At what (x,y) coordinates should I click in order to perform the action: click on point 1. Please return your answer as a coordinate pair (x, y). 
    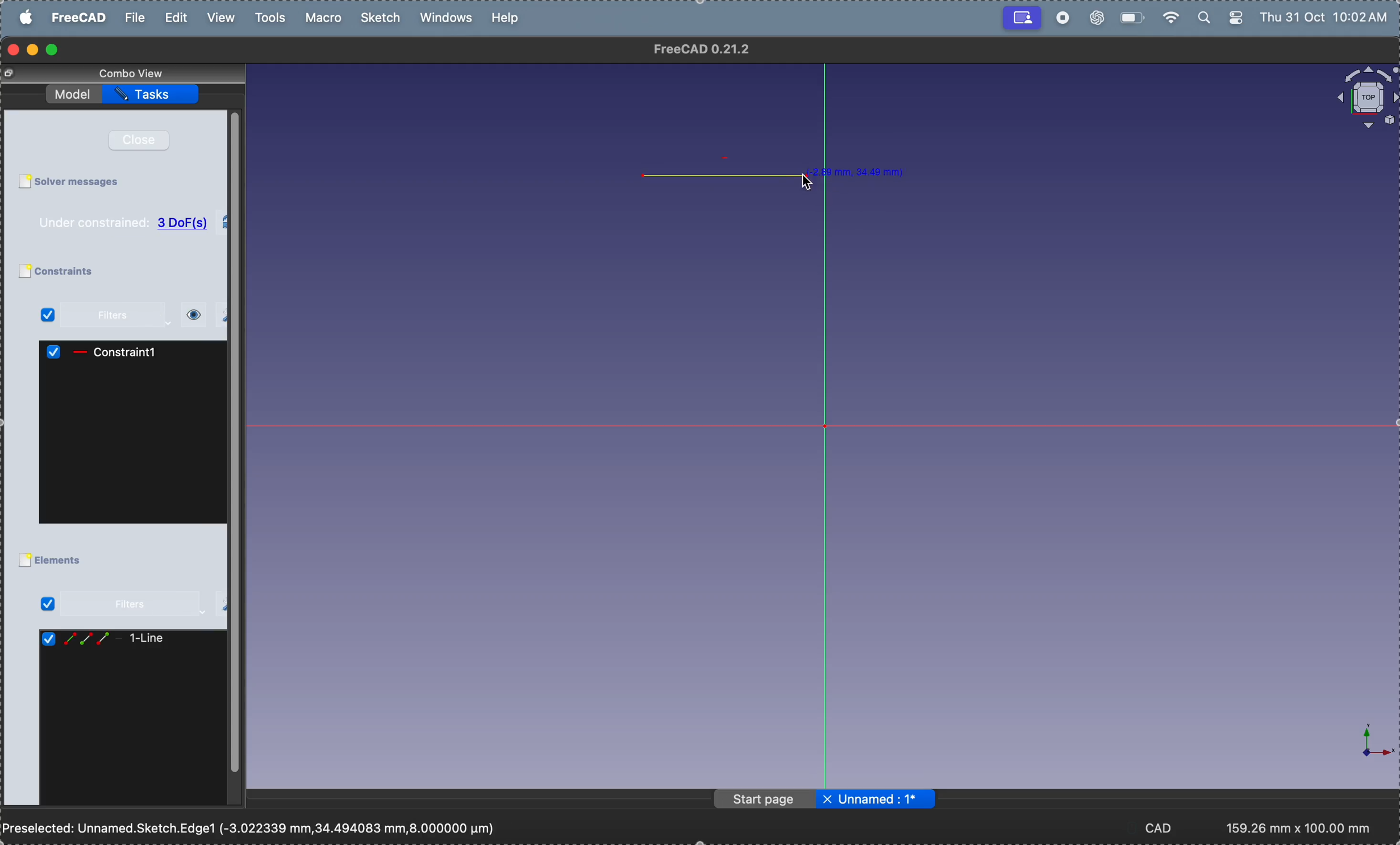
    Looking at the image, I should click on (645, 177).